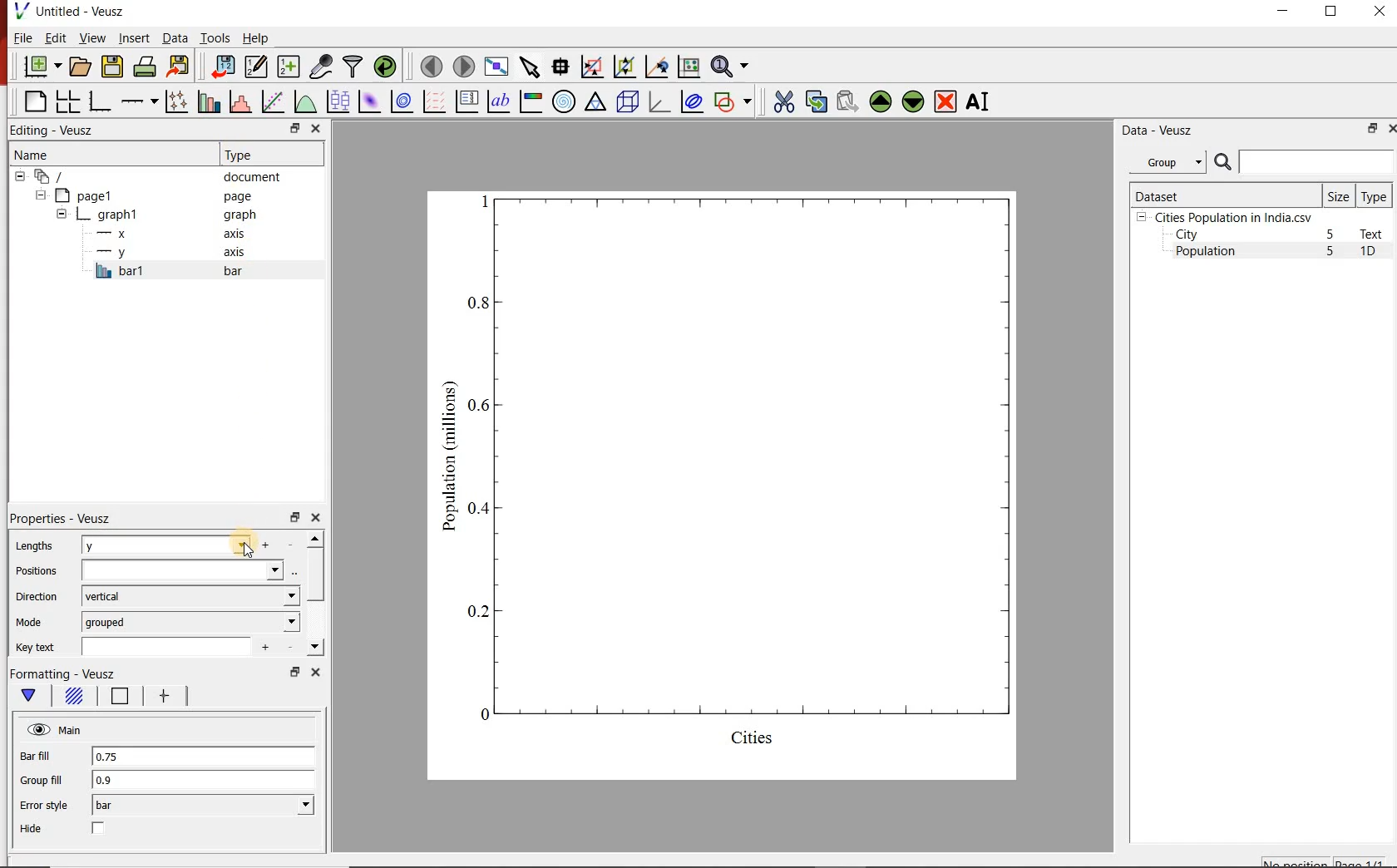  I want to click on open a document, so click(79, 67).